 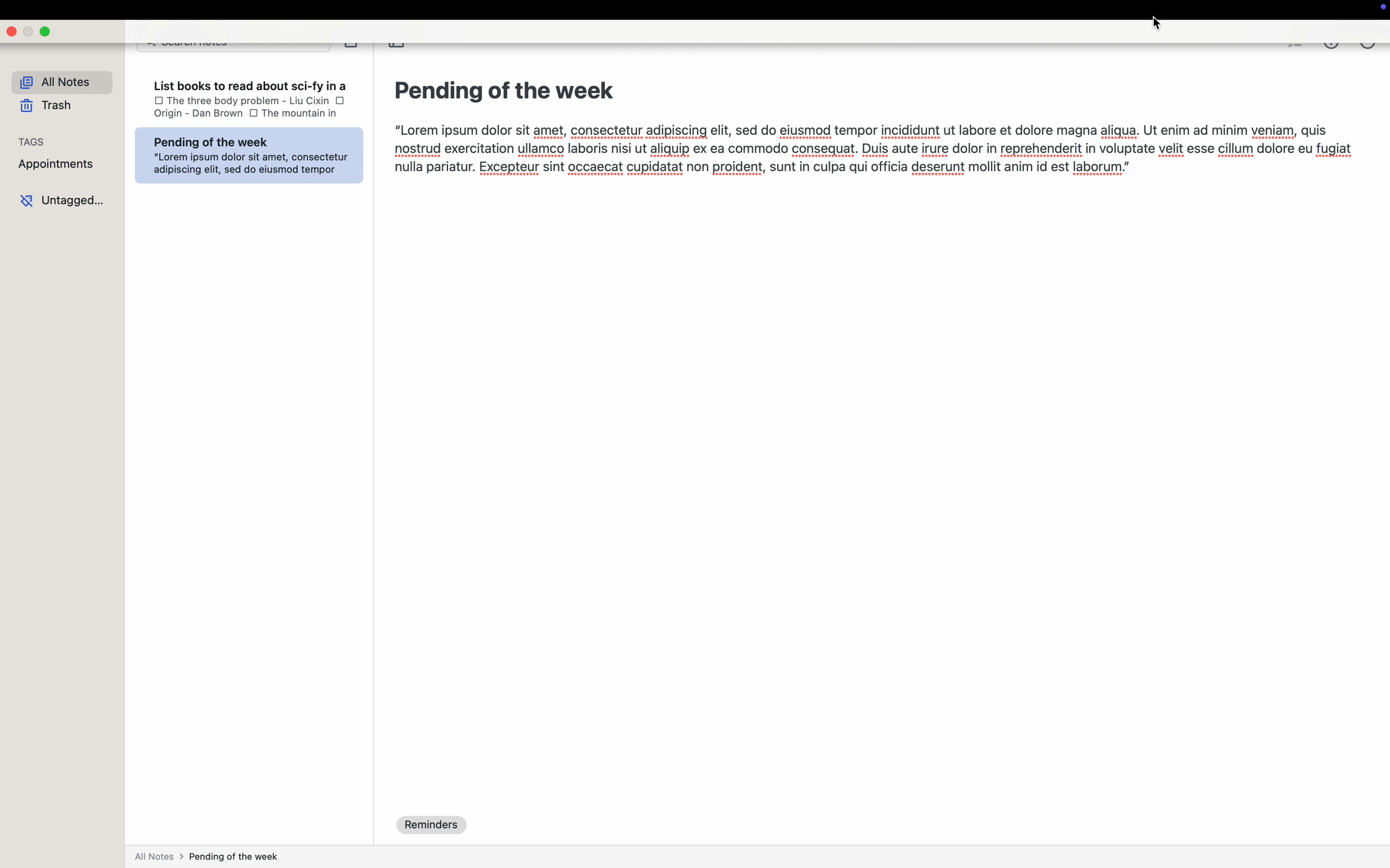 What do you see at coordinates (312, 113) in the screenshot?
I see `the mountyain in` at bounding box center [312, 113].